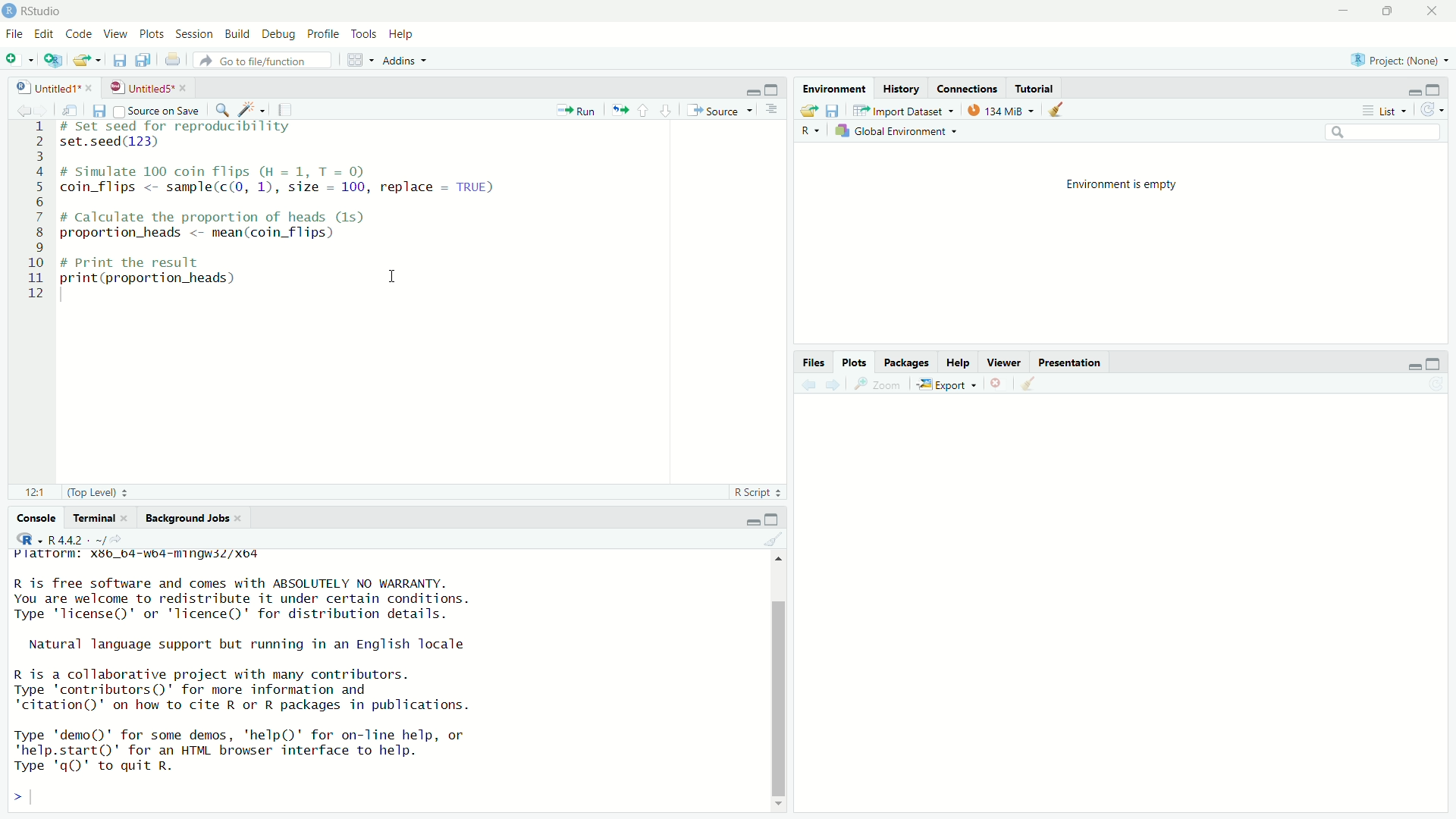 Image resolution: width=1456 pixels, height=819 pixels. What do you see at coordinates (232, 218) in the screenshot?
I see `# Calculate the proportion of heads (1s)` at bounding box center [232, 218].